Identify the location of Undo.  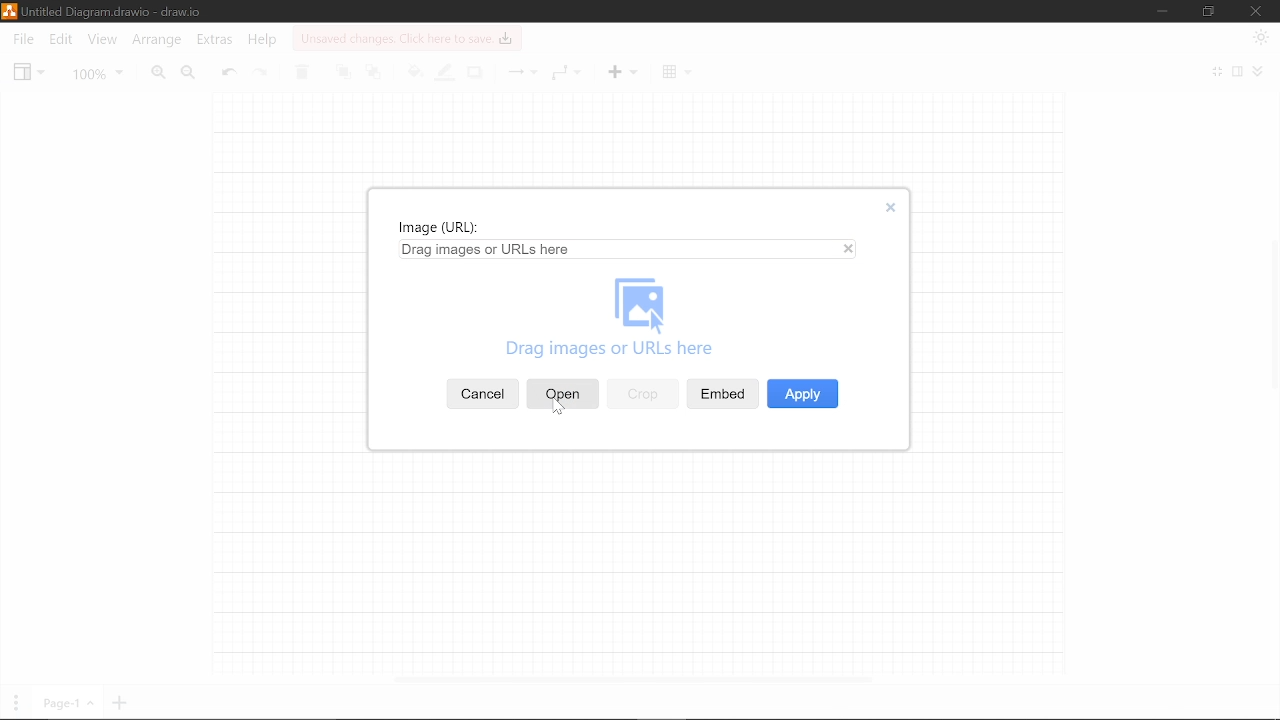
(228, 70).